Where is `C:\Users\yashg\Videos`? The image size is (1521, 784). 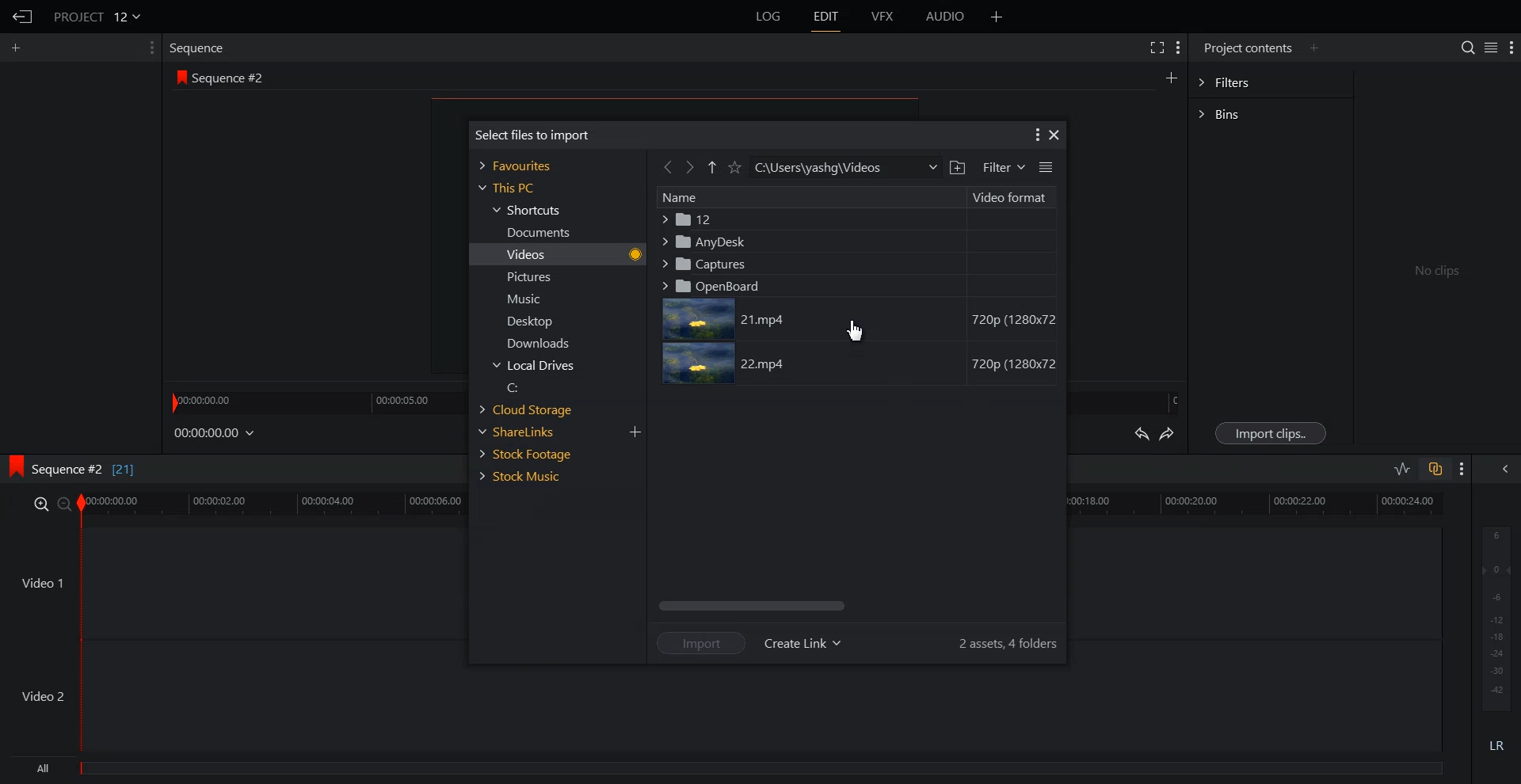
C:\Users\yashg\Videos is located at coordinates (845, 167).